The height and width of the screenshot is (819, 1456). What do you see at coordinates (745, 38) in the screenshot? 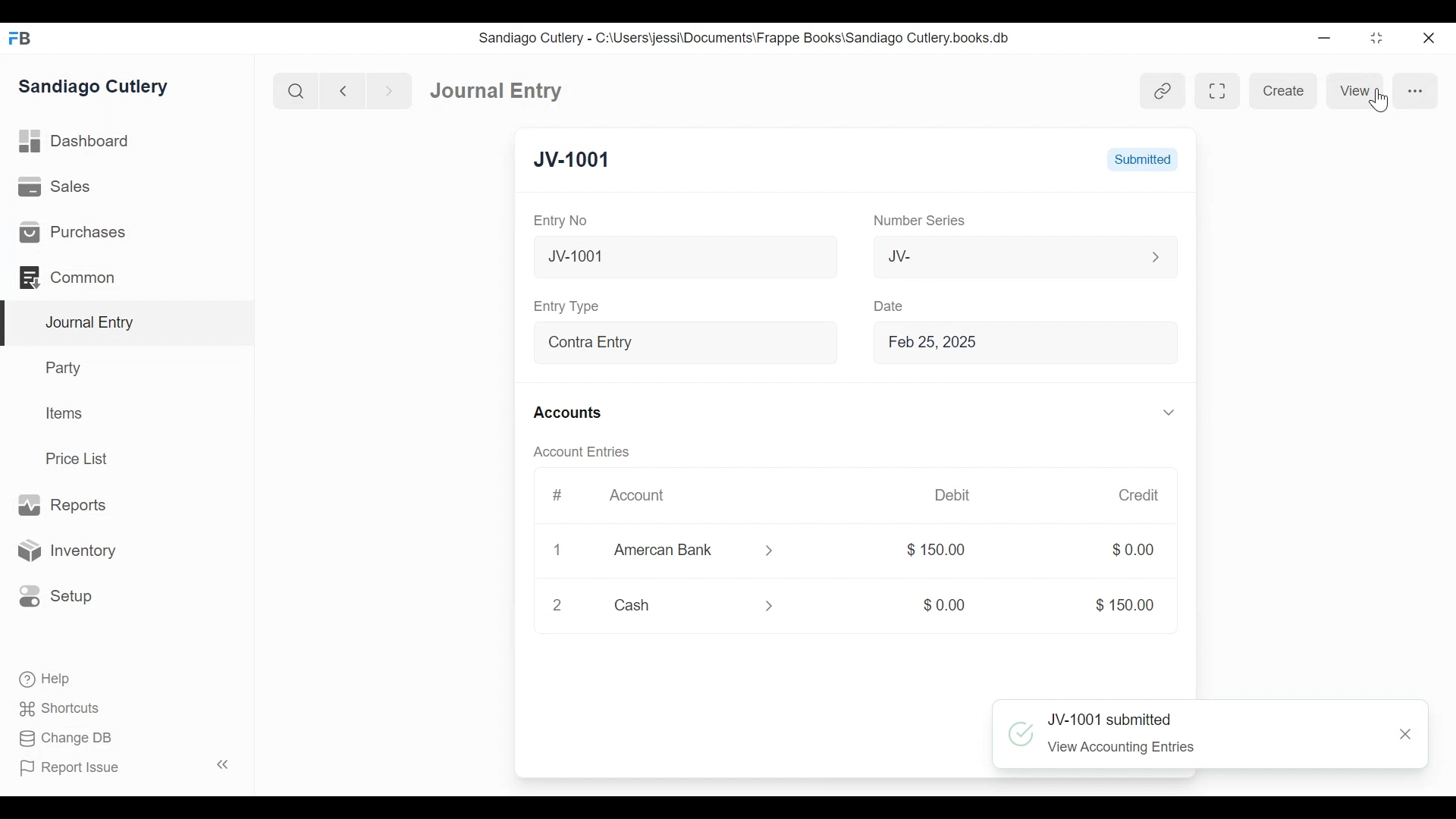
I see `Sandiago Cutlery - C:\Users\jessi\Documents\Frappe Books\Sandiago Cutlery.books.db` at bounding box center [745, 38].